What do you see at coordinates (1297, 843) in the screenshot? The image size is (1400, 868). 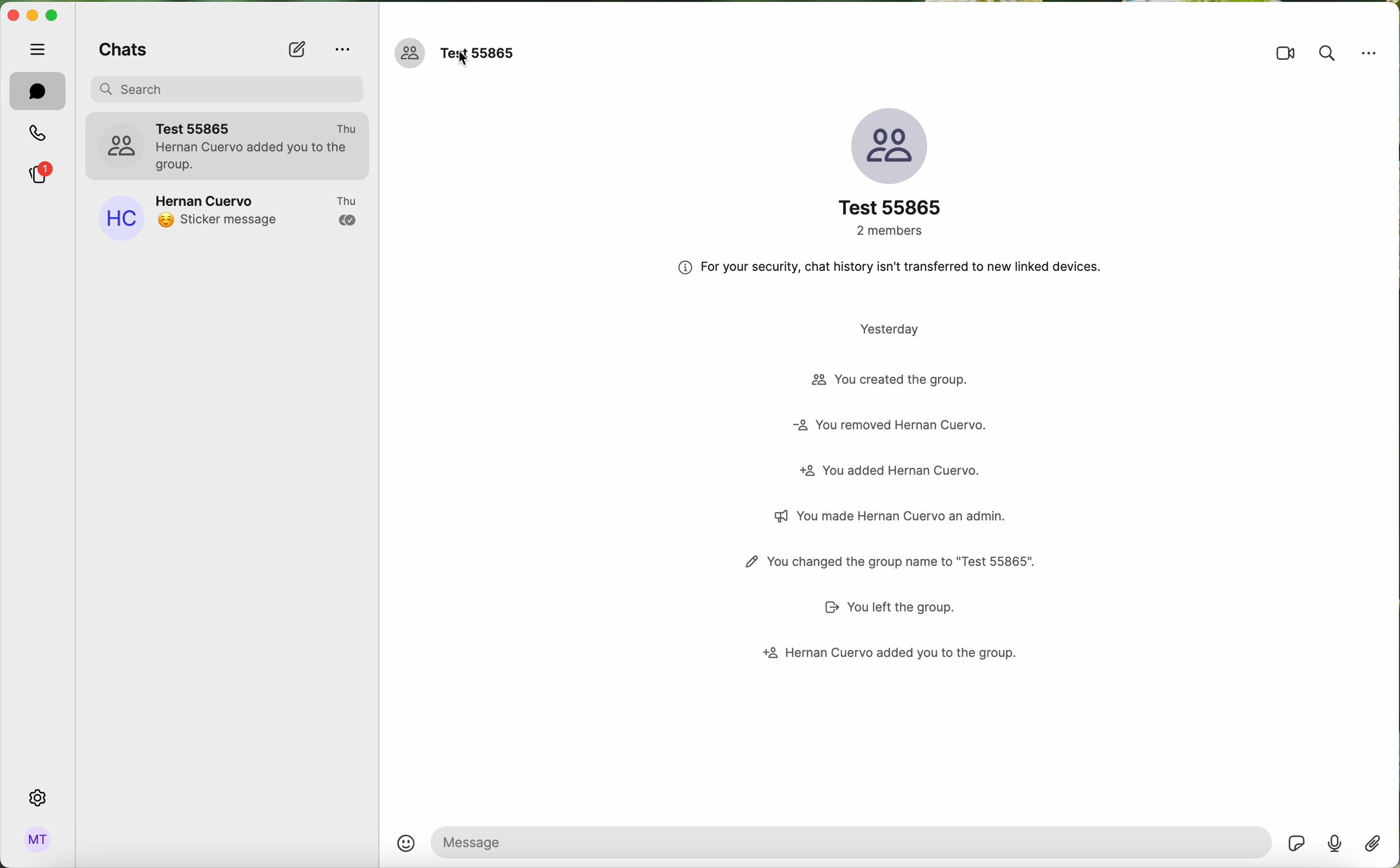 I see `gif` at bounding box center [1297, 843].